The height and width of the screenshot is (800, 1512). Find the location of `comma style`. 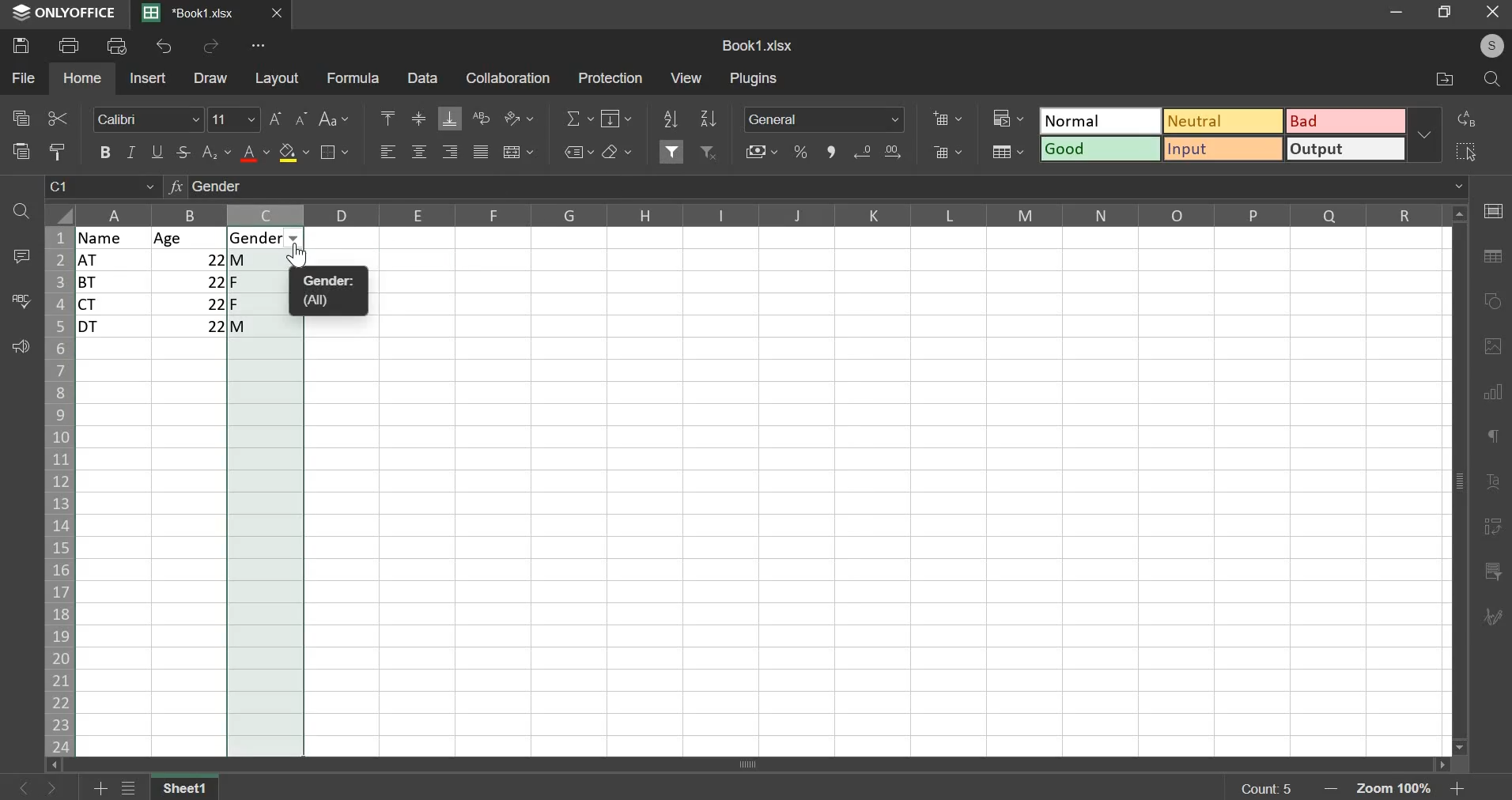

comma style is located at coordinates (832, 153).